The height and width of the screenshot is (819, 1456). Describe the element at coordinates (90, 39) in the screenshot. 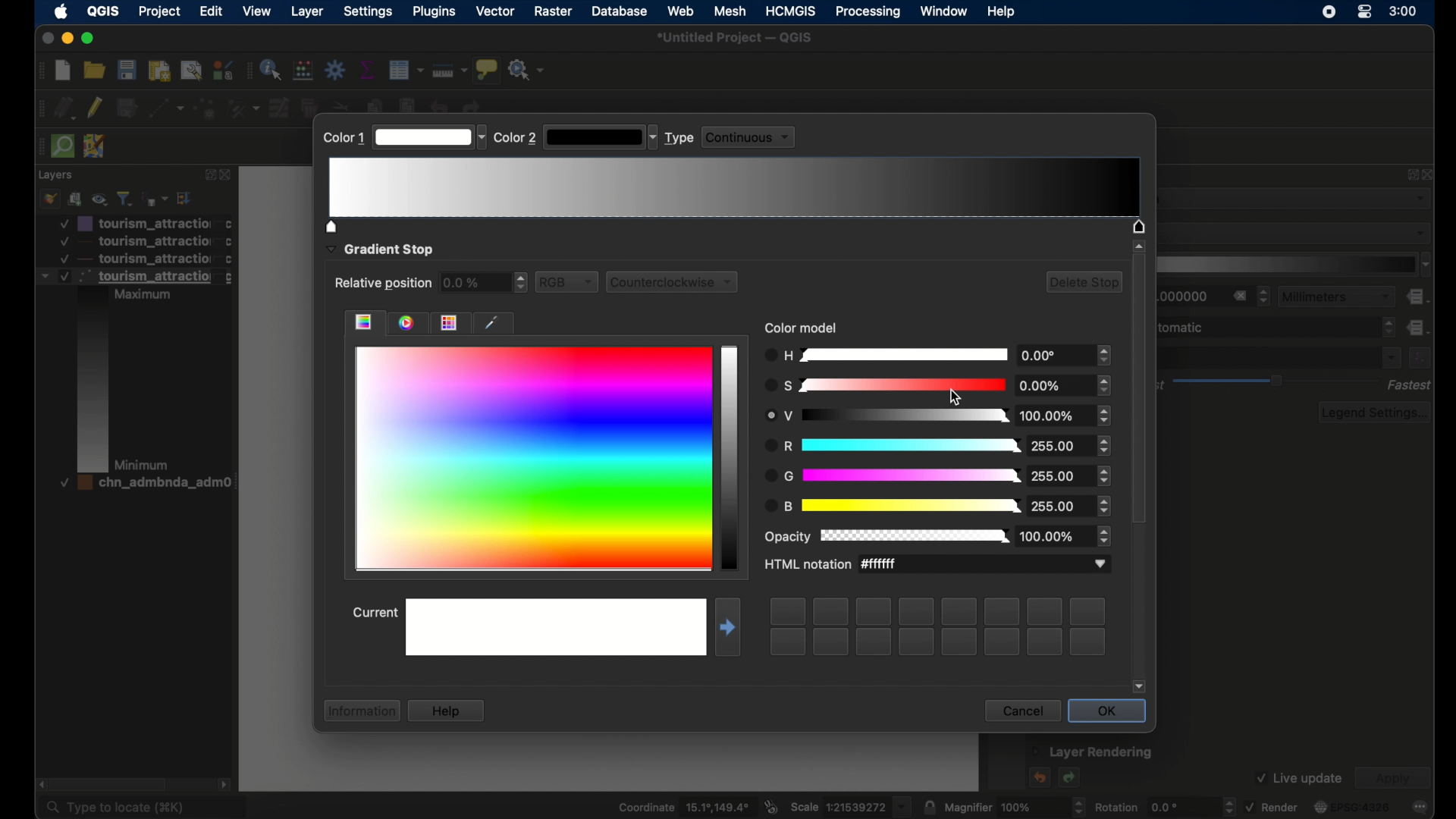

I see `maximize` at that location.